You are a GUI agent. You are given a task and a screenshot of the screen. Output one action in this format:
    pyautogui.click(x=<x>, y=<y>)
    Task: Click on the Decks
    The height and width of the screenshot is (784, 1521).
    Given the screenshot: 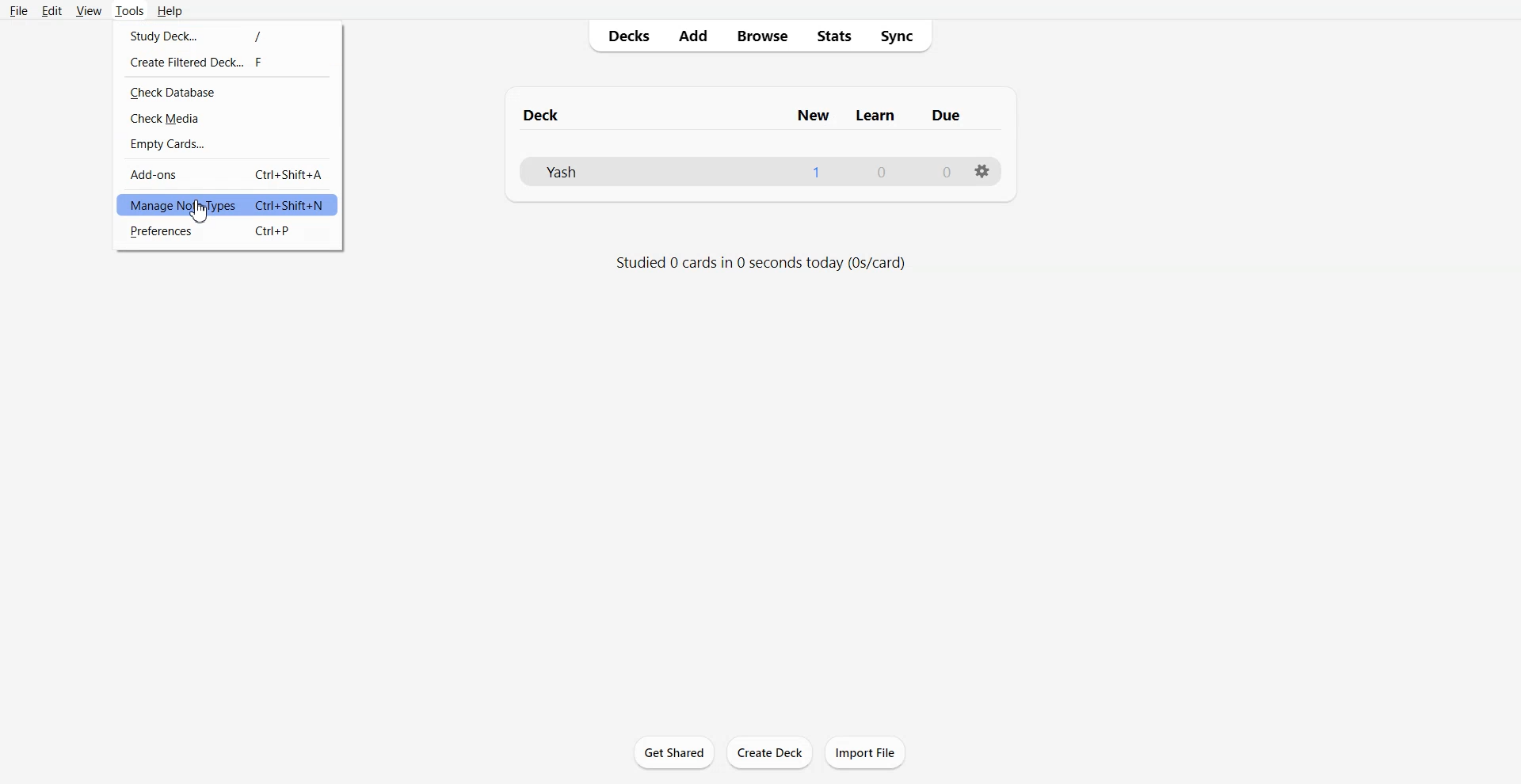 What is the action you would take?
    pyautogui.click(x=625, y=36)
    